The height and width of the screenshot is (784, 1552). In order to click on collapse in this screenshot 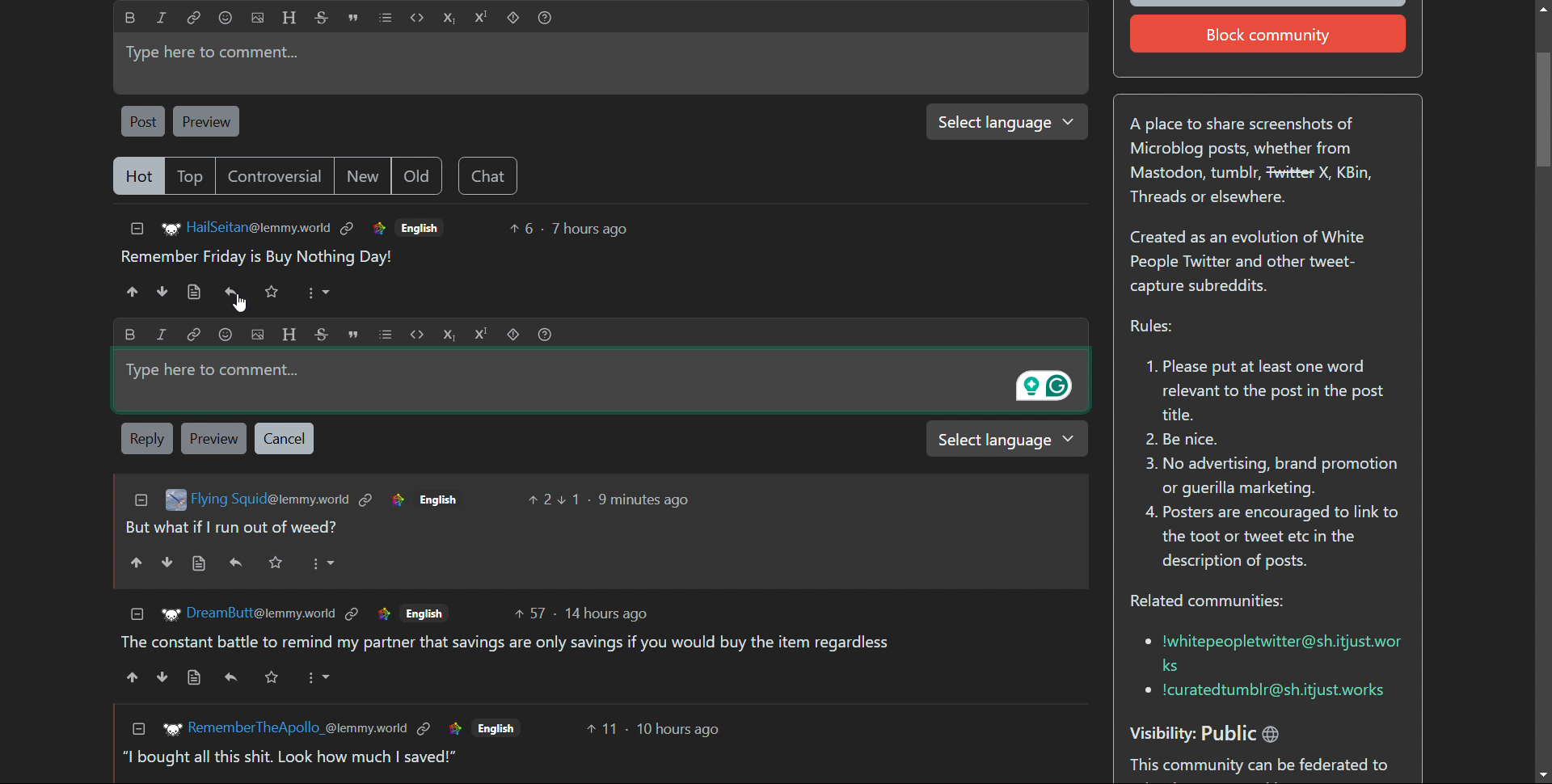, I will do `click(137, 229)`.